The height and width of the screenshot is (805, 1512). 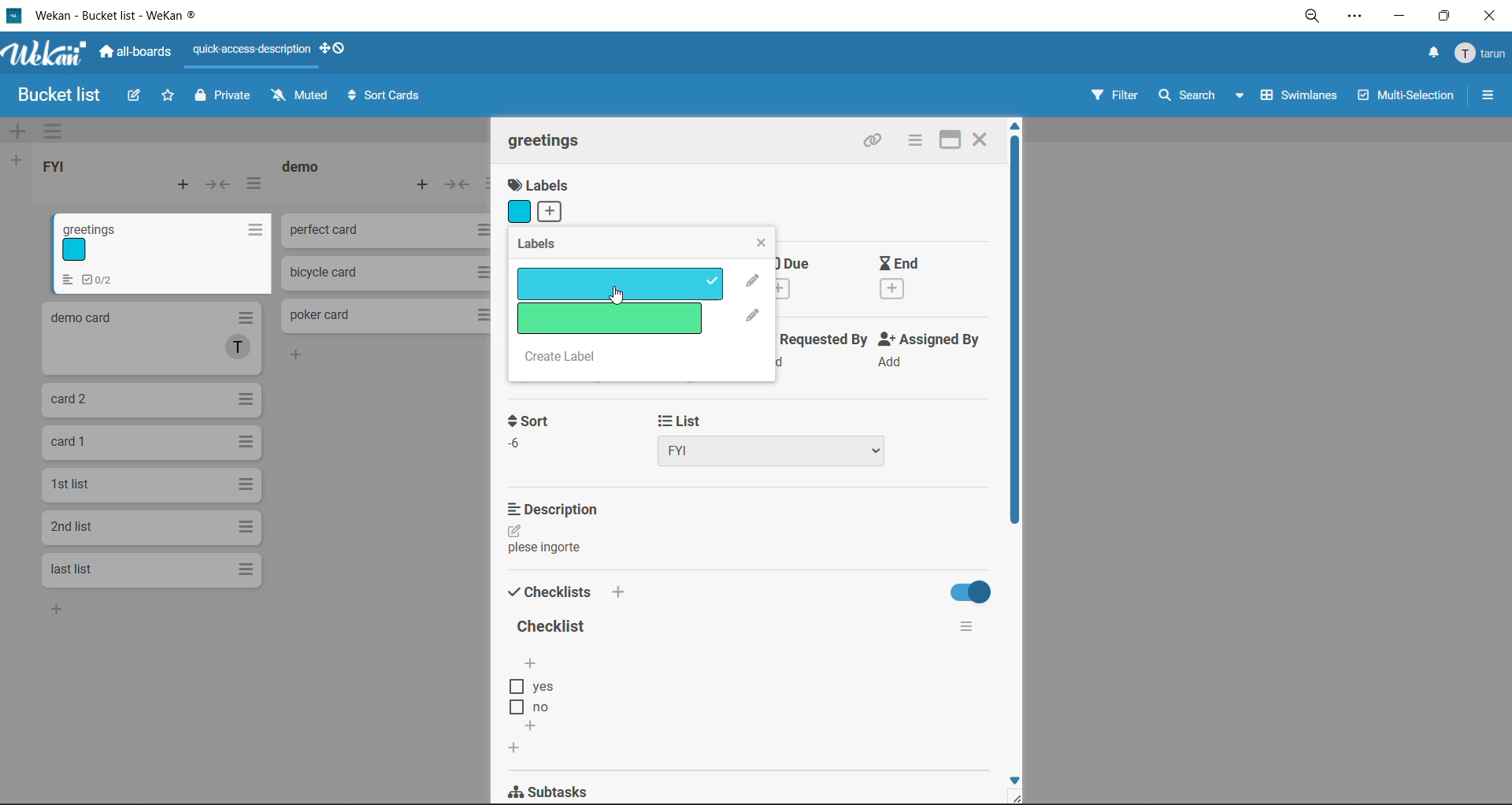 What do you see at coordinates (554, 213) in the screenshot?
I see `add` at bounding box center [554, 213].